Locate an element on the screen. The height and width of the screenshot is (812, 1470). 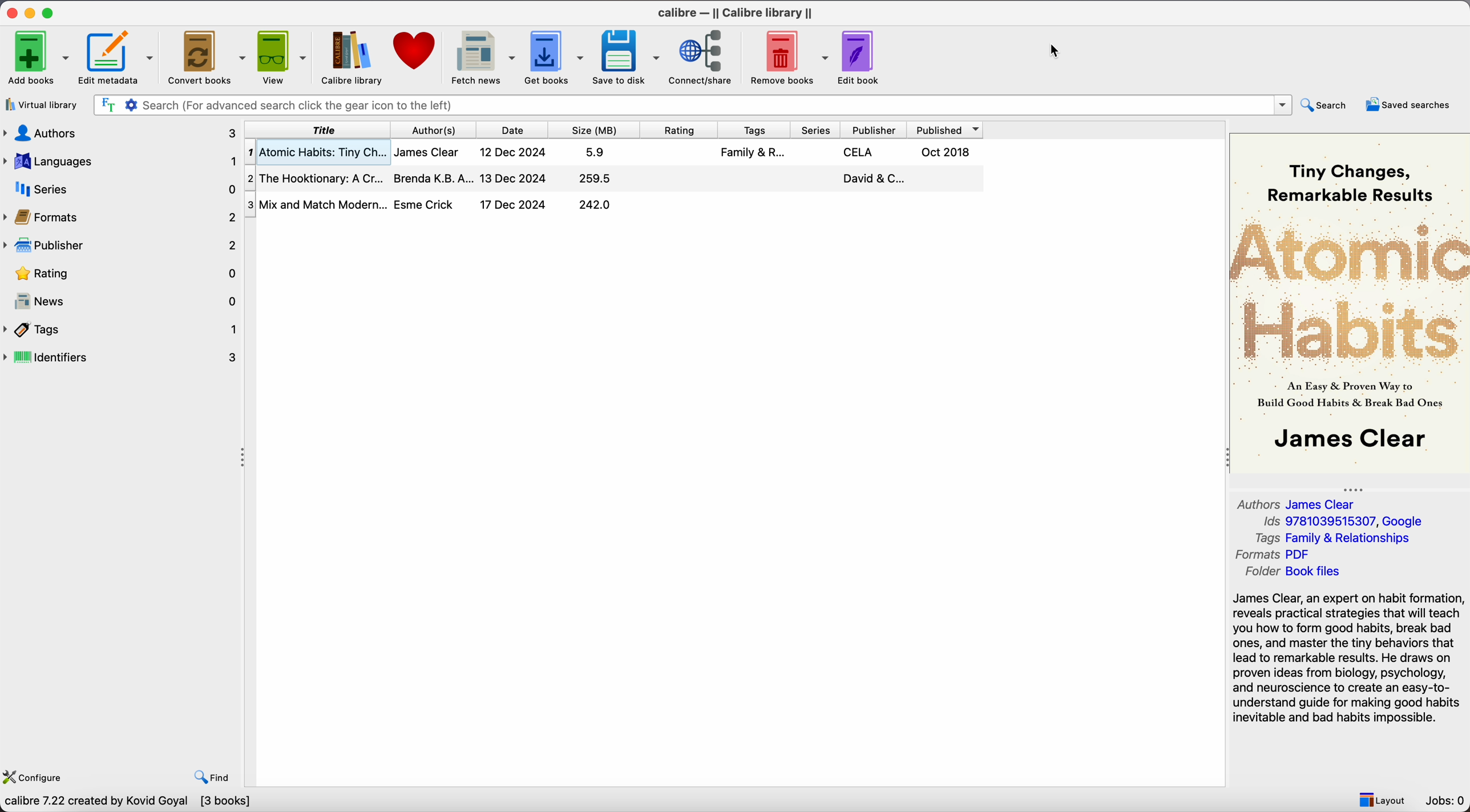
donate is located at coordinates (413, 55).